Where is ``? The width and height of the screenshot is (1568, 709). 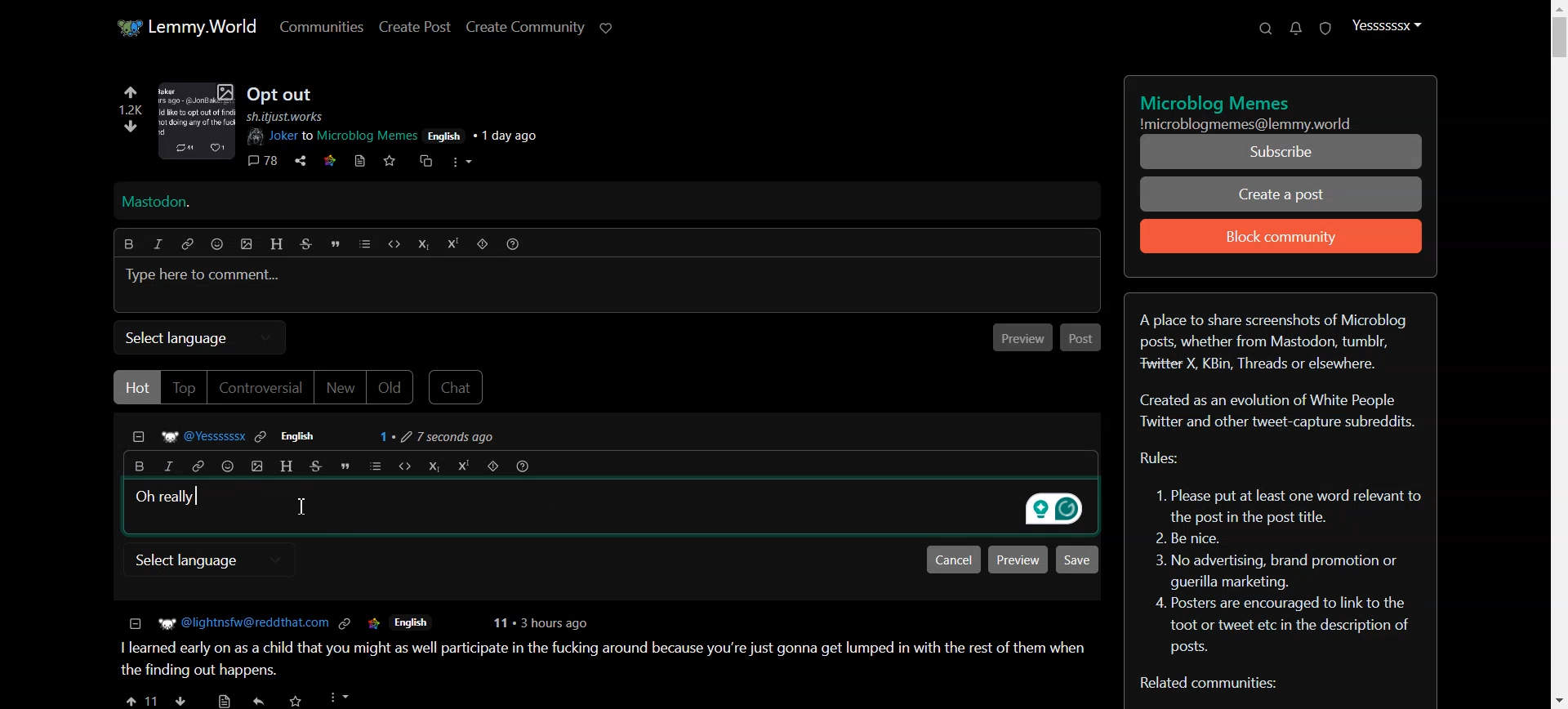  is located at coordinates (297, 698).